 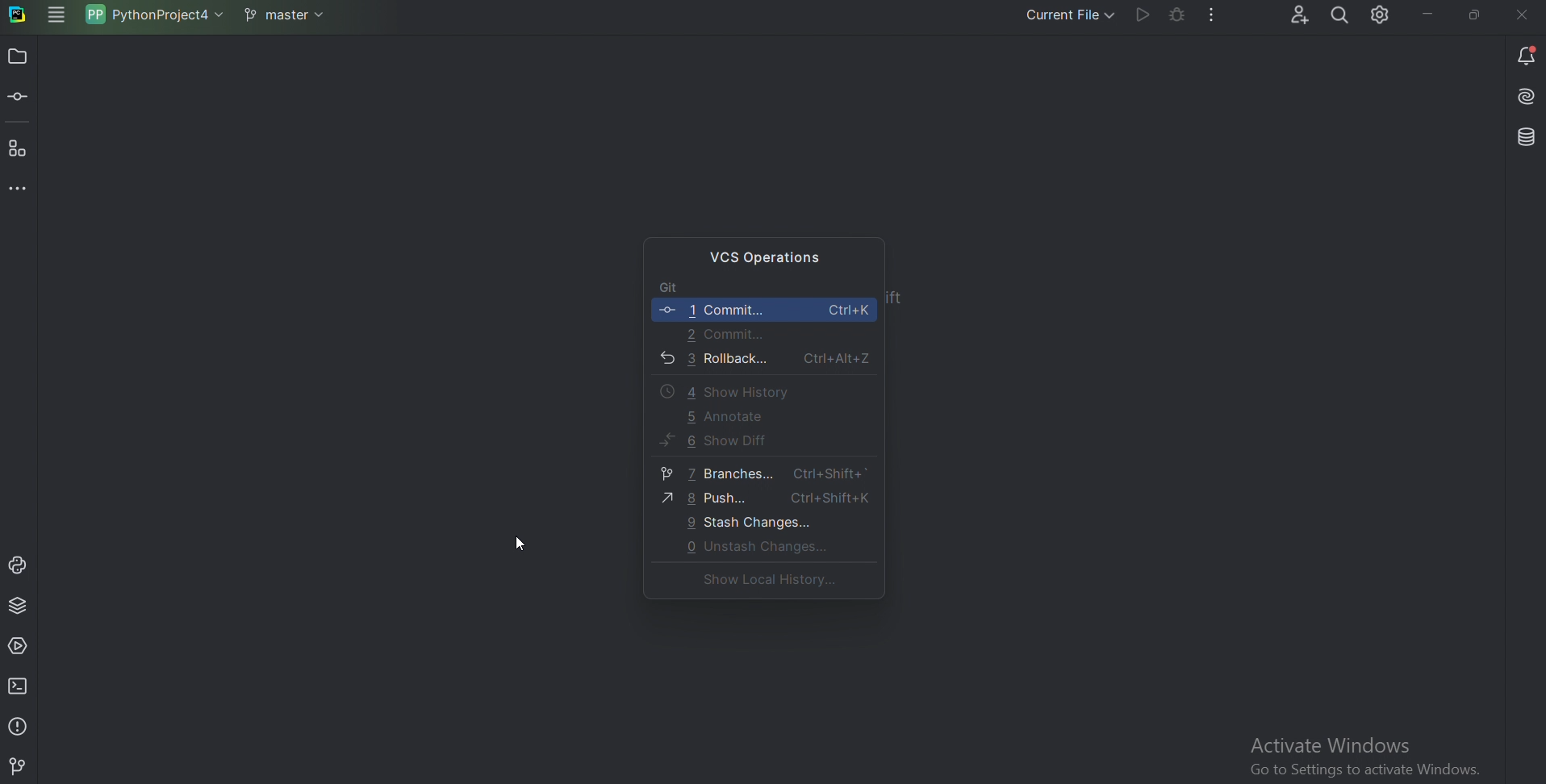 What do you see at coordinates (1524, 99) in the screenshot?
I see `Install AI assistant` at bounding box center [1524, 99].